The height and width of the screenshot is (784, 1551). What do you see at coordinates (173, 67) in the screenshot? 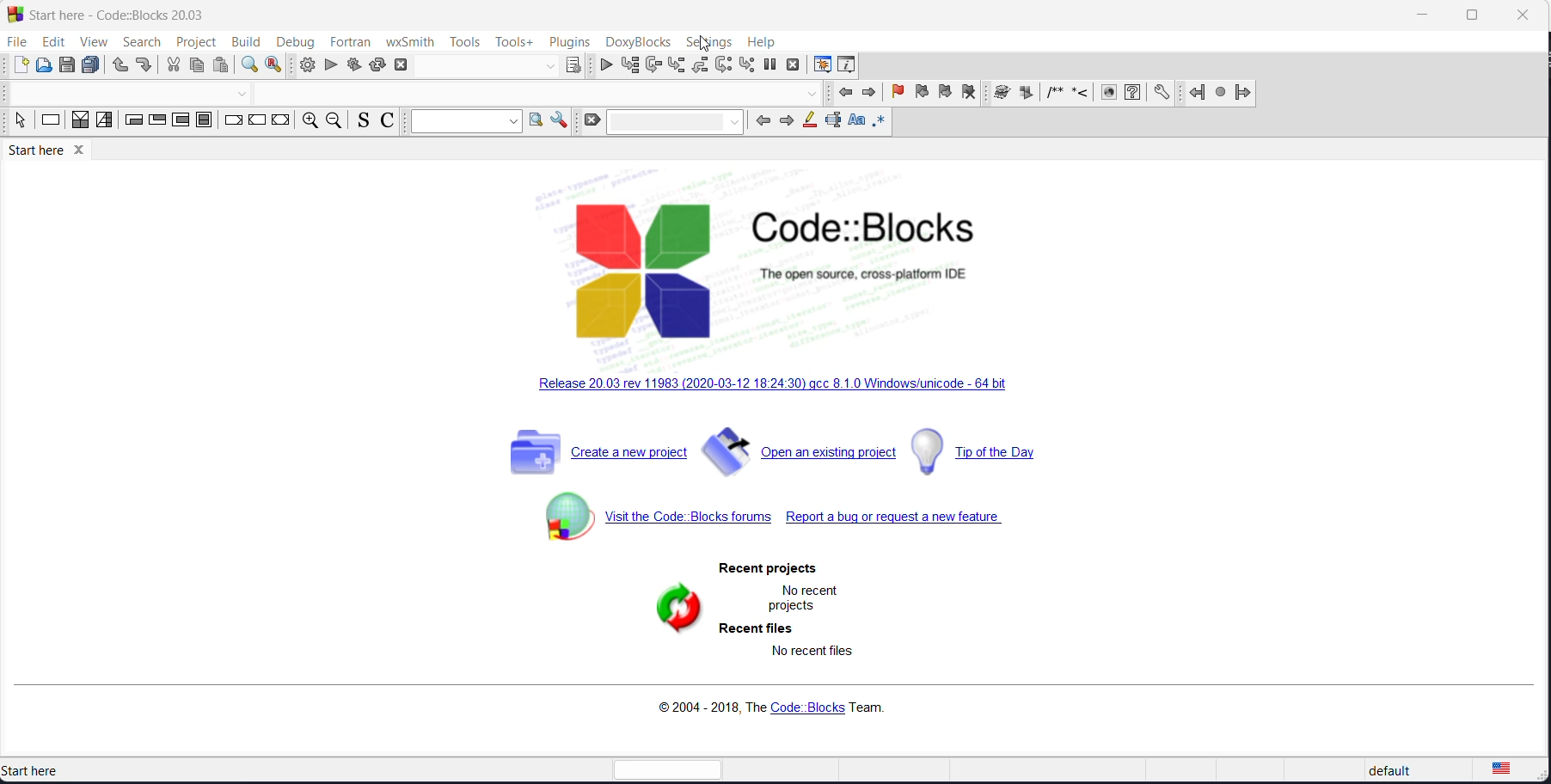
I see `cut` at bounding box center [173, 67].